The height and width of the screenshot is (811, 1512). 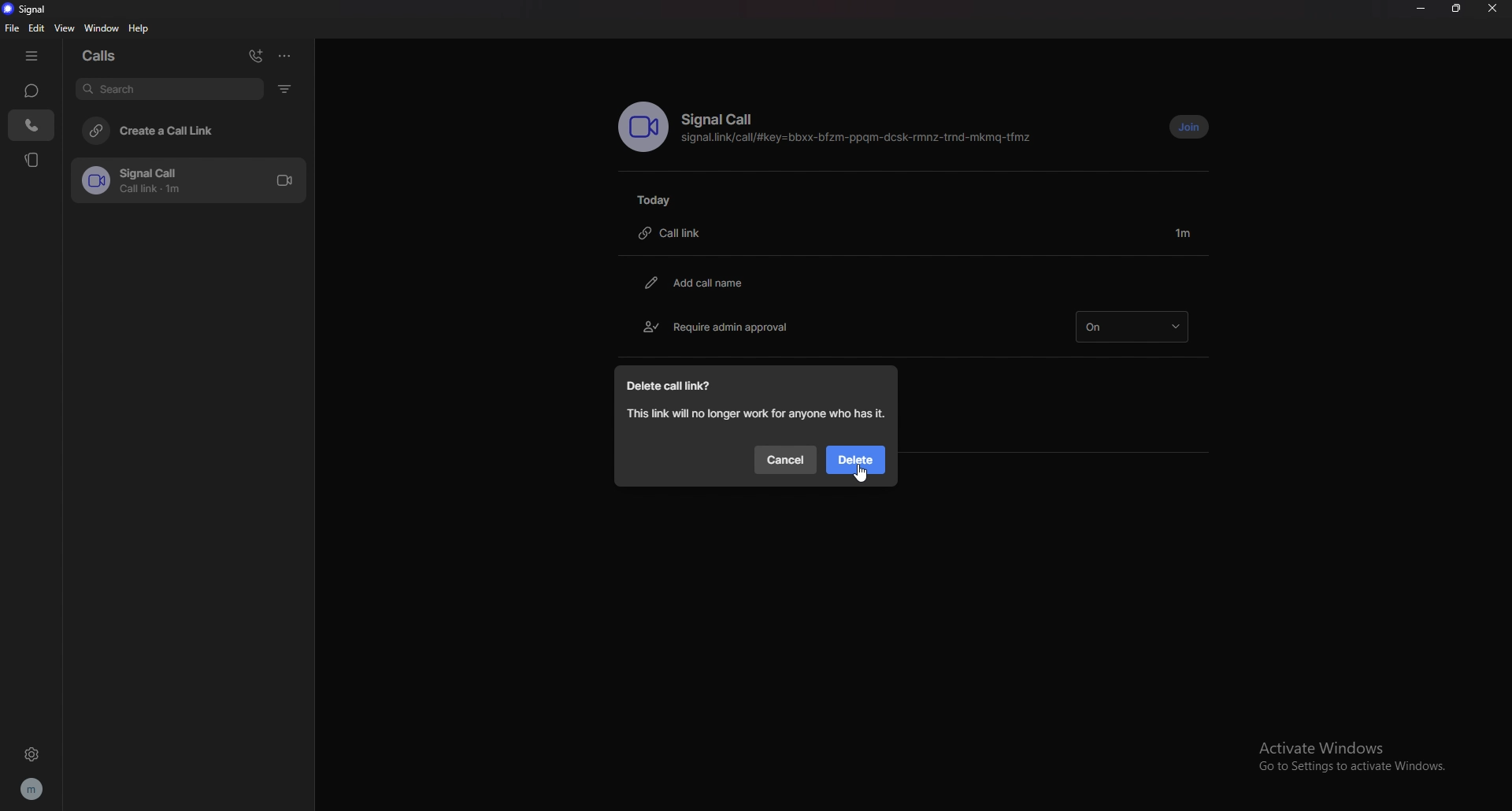 I want to click on options, so click(x=286, y=56).